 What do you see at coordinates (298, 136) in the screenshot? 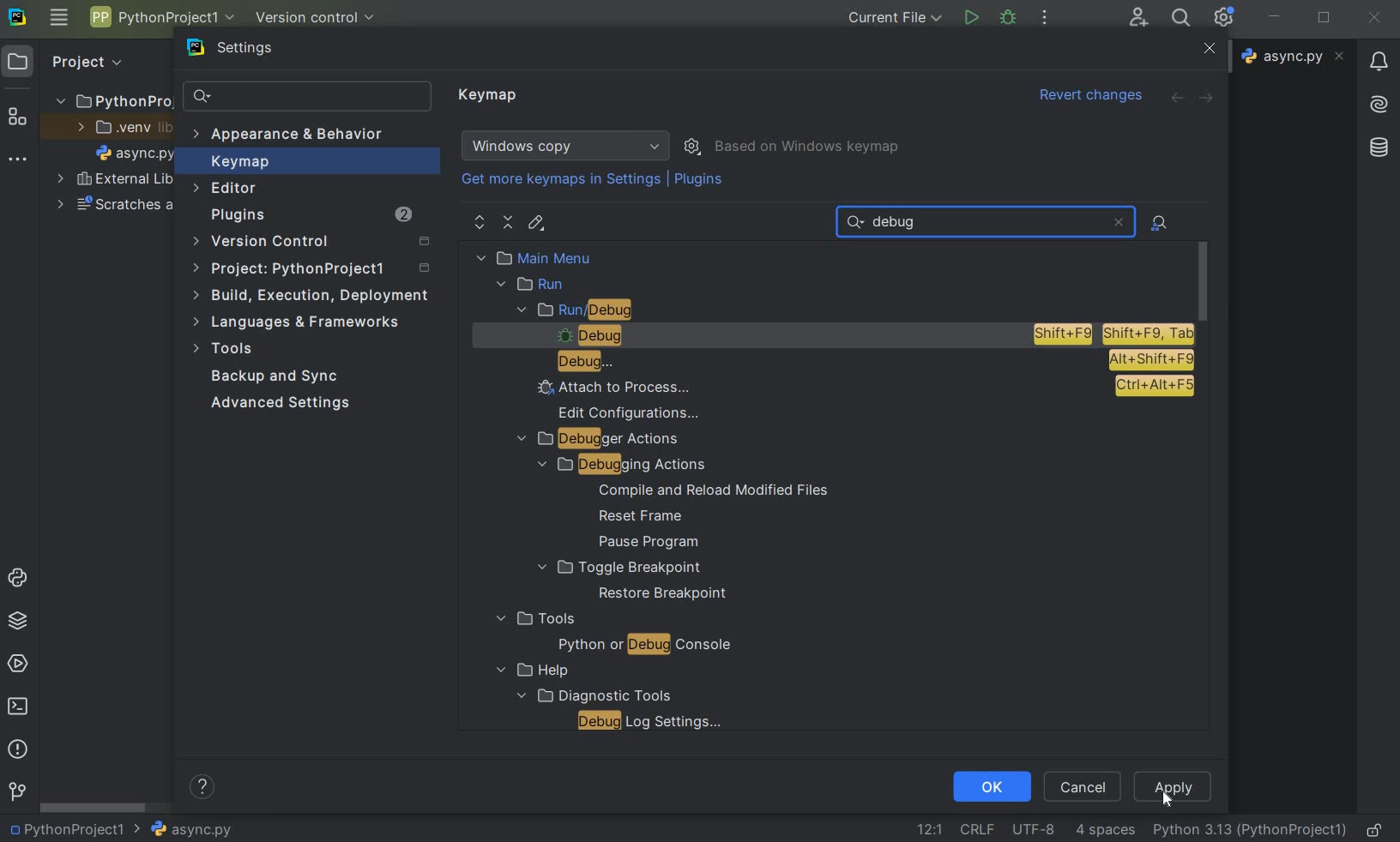
I see `appearance & behavior` at bounding box center [298, 136].